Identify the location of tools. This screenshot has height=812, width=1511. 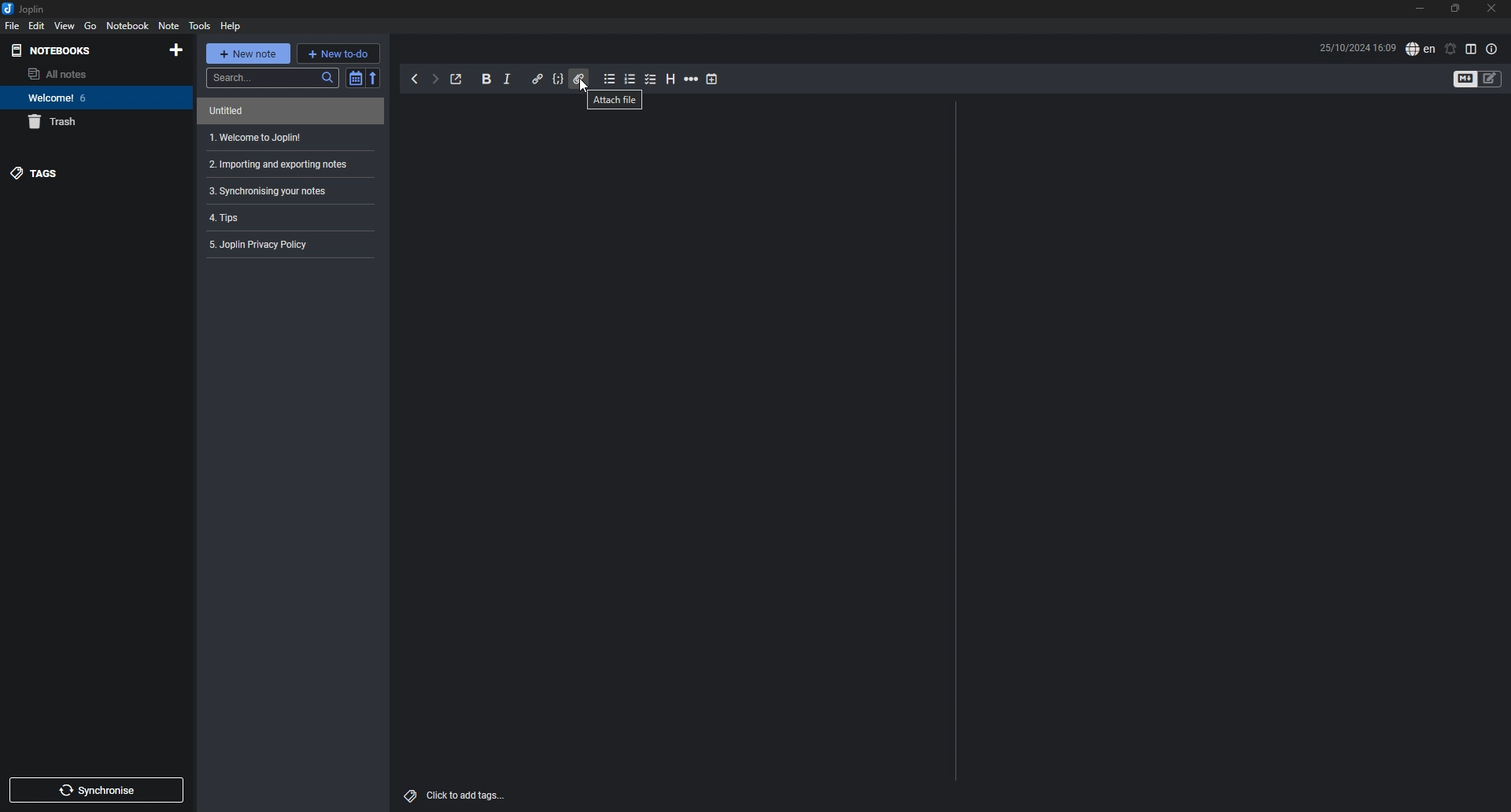
(200, 26).